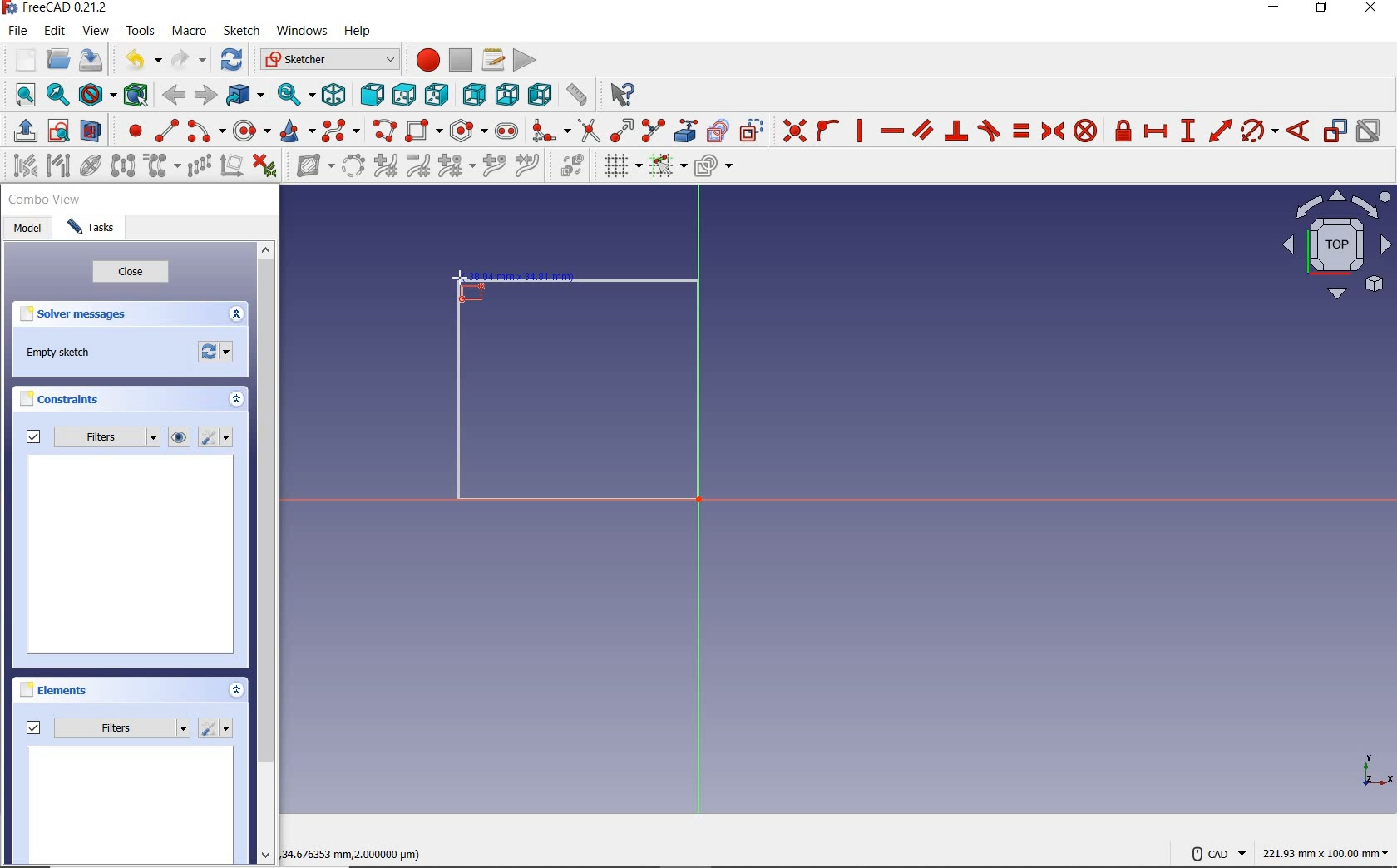 Image resolution: width=1397 pixels, height=868 pixels. I want to click on constraints, so click(64, 399).